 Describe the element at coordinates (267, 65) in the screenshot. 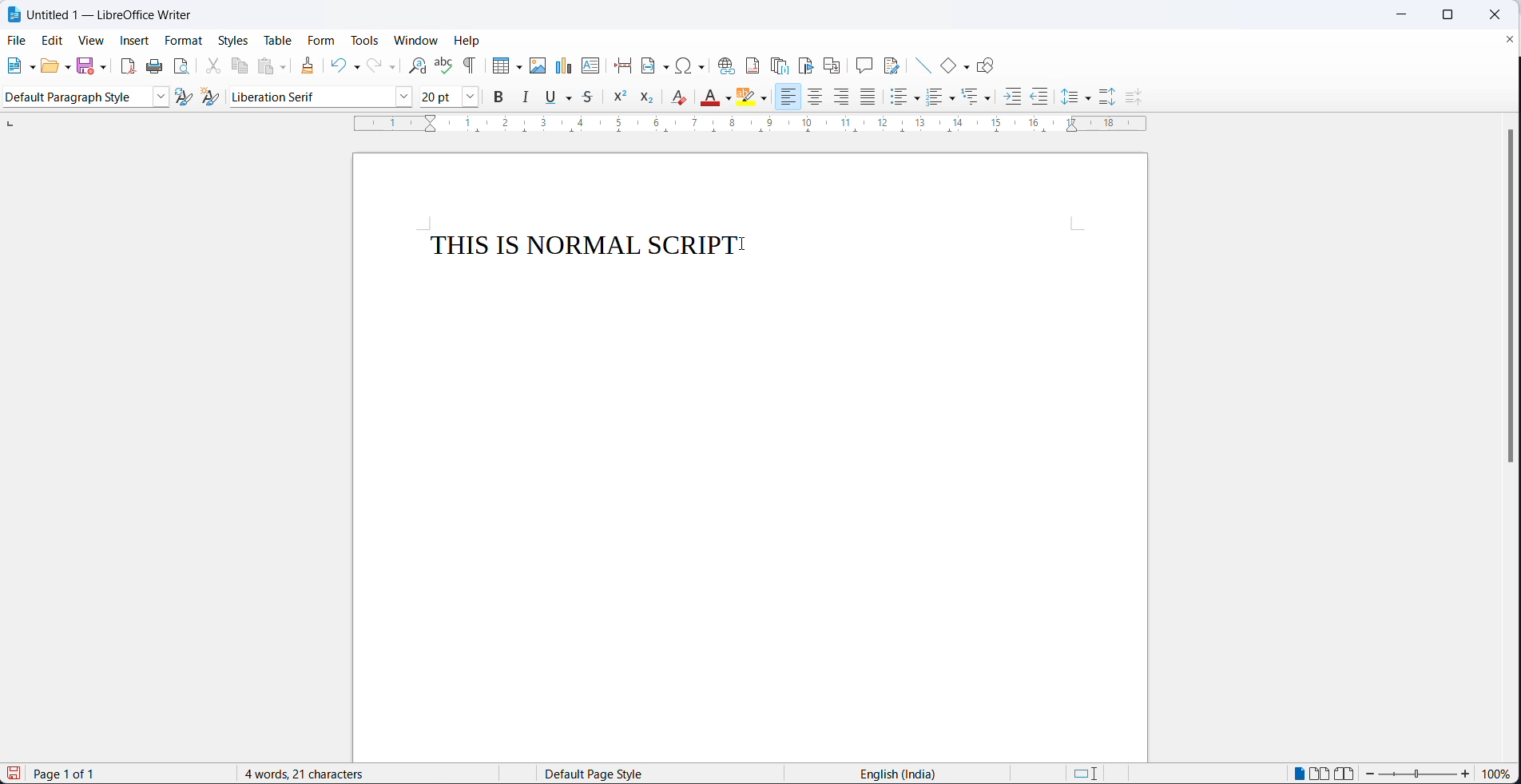

I see `paste` at that location.